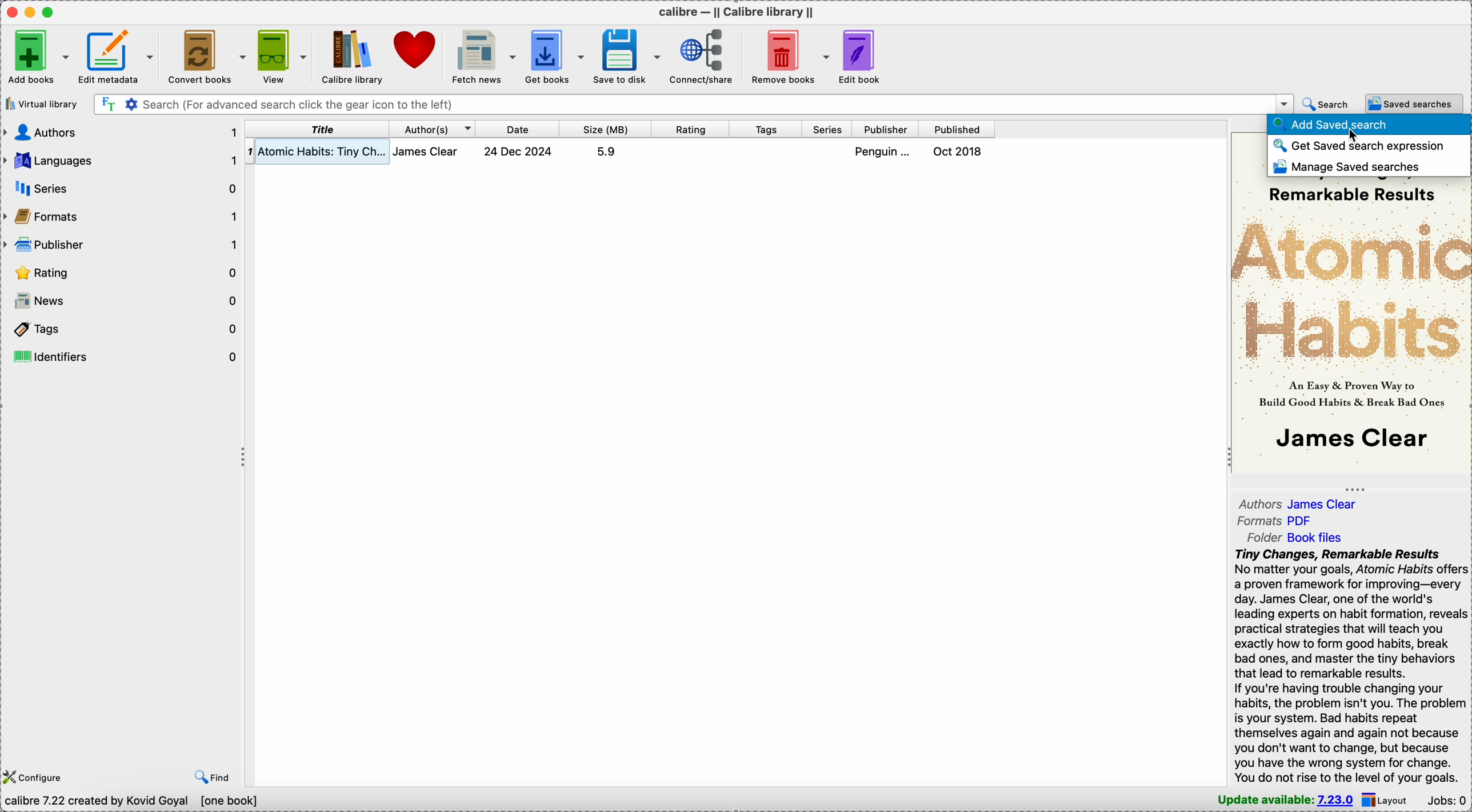 The height and width of the screenshot is (812, 1472). What do you see at coordinates (123, 356) in the screenshot?
I see `identifiers` at bounding box center [123, 356].